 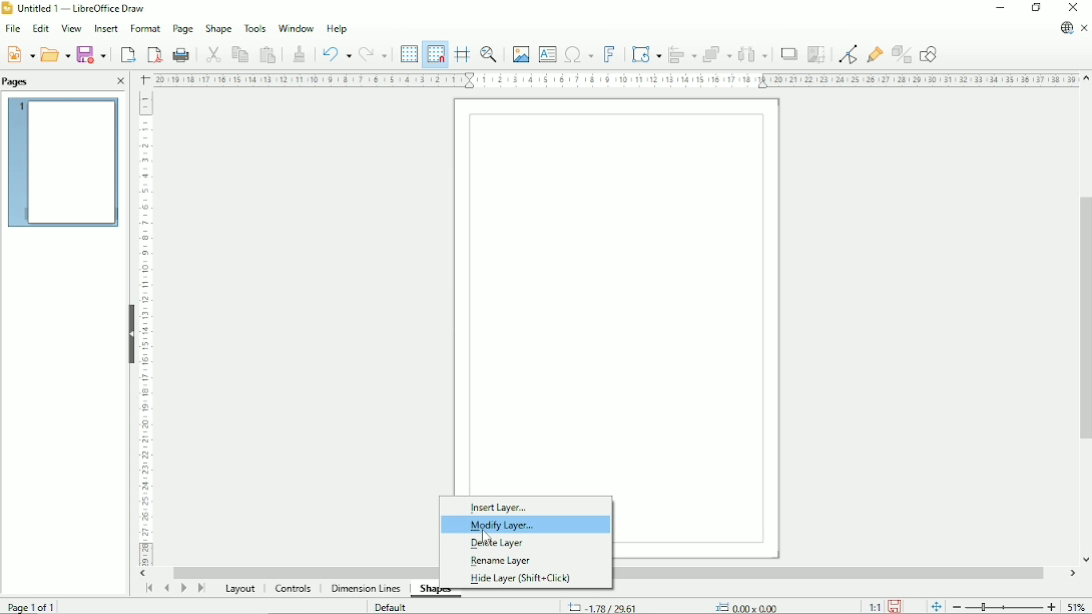 What do you see at coordinates (374, 54) in the screenshot?
I see `Redo` at bounding box center [374, 54].